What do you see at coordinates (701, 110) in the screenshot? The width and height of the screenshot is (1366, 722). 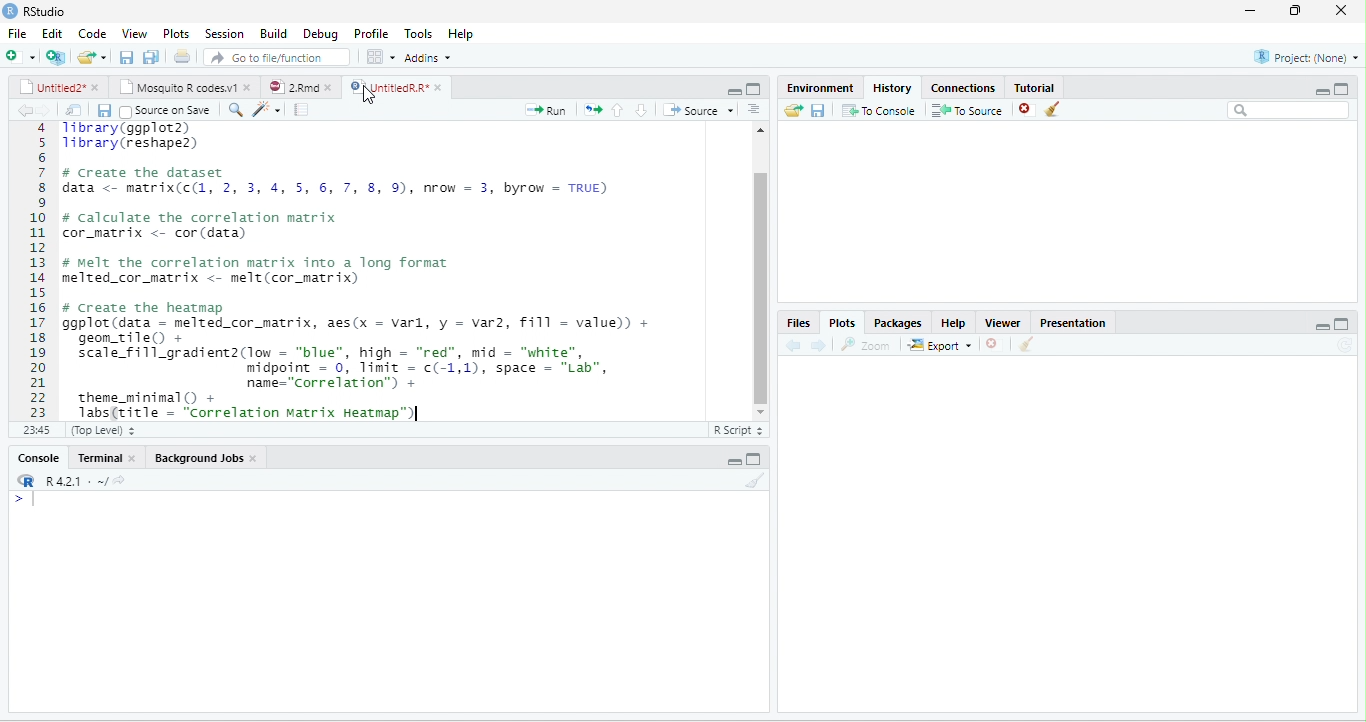 I see `source` at bounding box center [701, 110].